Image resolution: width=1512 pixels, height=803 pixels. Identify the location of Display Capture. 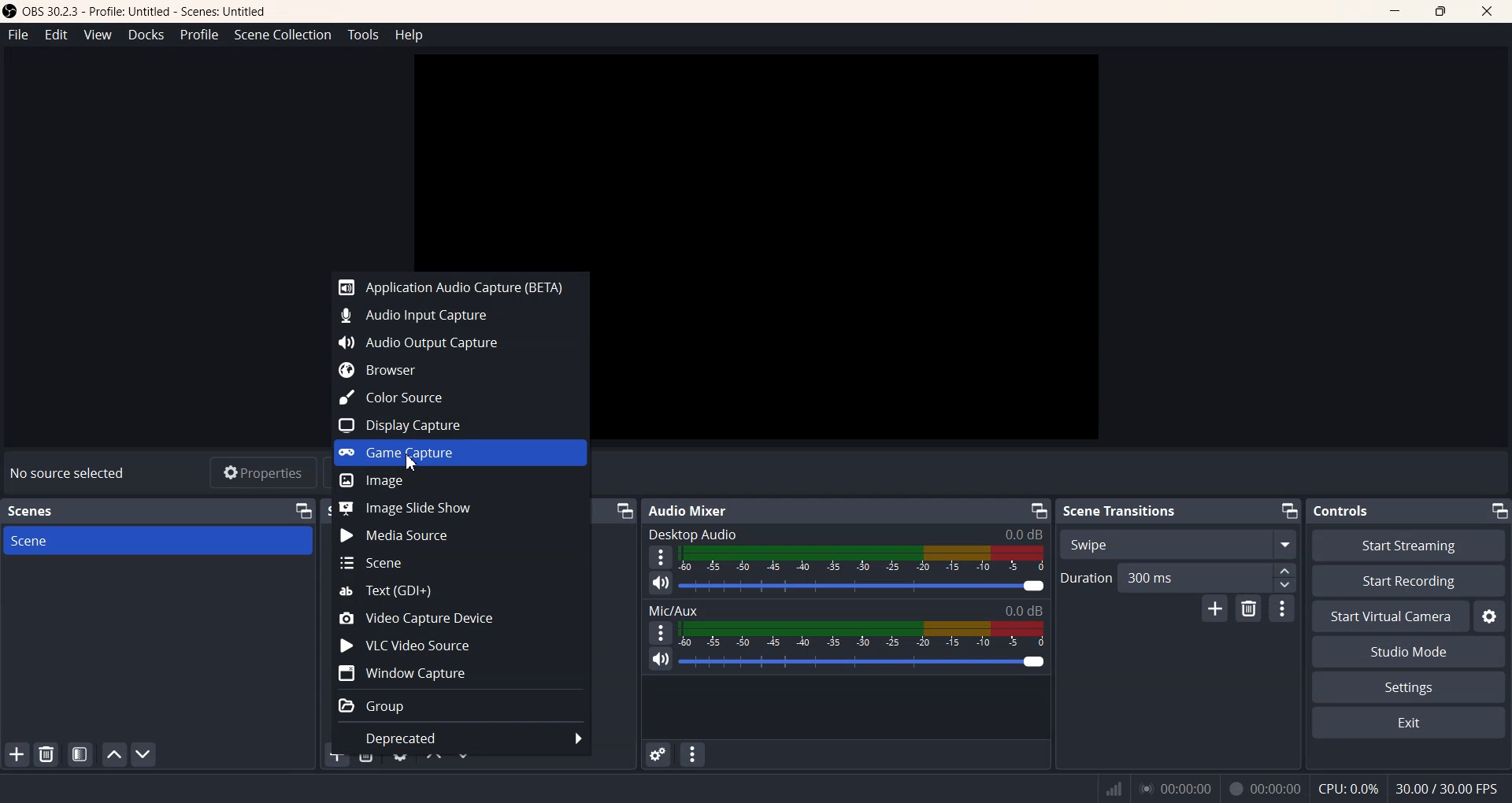
(451, 425).